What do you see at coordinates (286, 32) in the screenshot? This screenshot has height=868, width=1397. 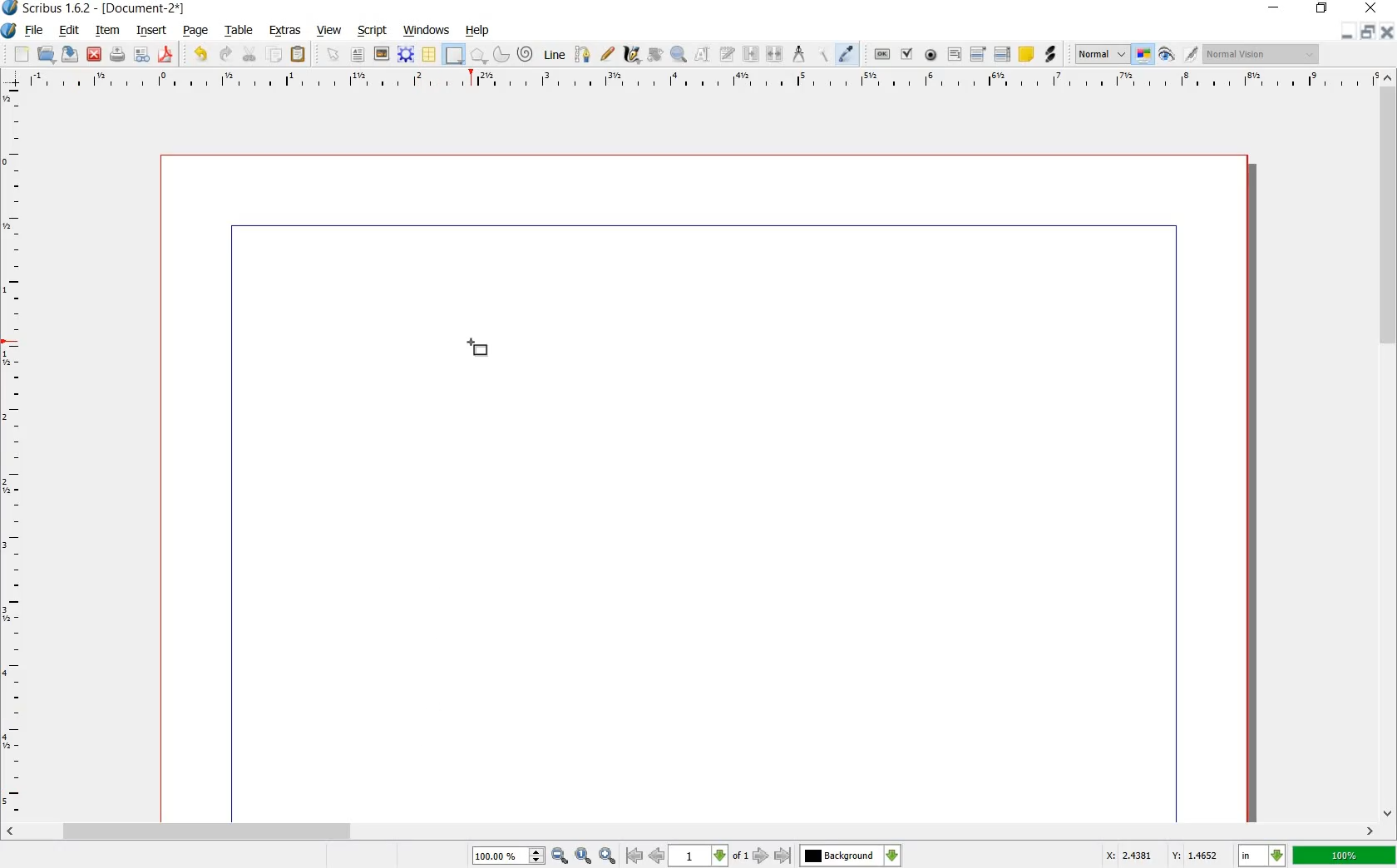 I see `EXTRAS` at bounding box center [286, 32].